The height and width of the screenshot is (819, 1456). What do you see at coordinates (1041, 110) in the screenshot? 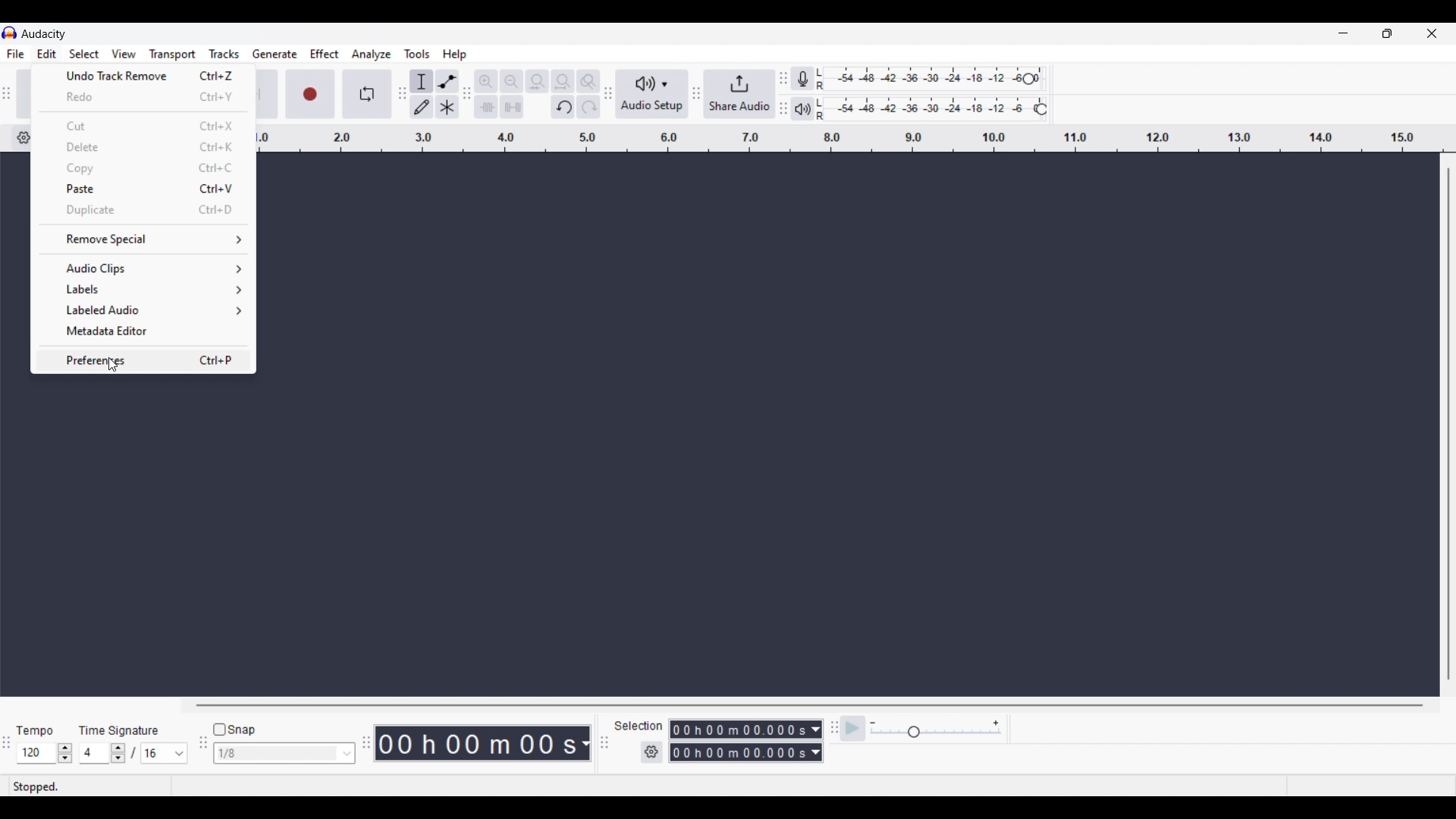
I see `Change playback level` at bounding box center [1041, 110].